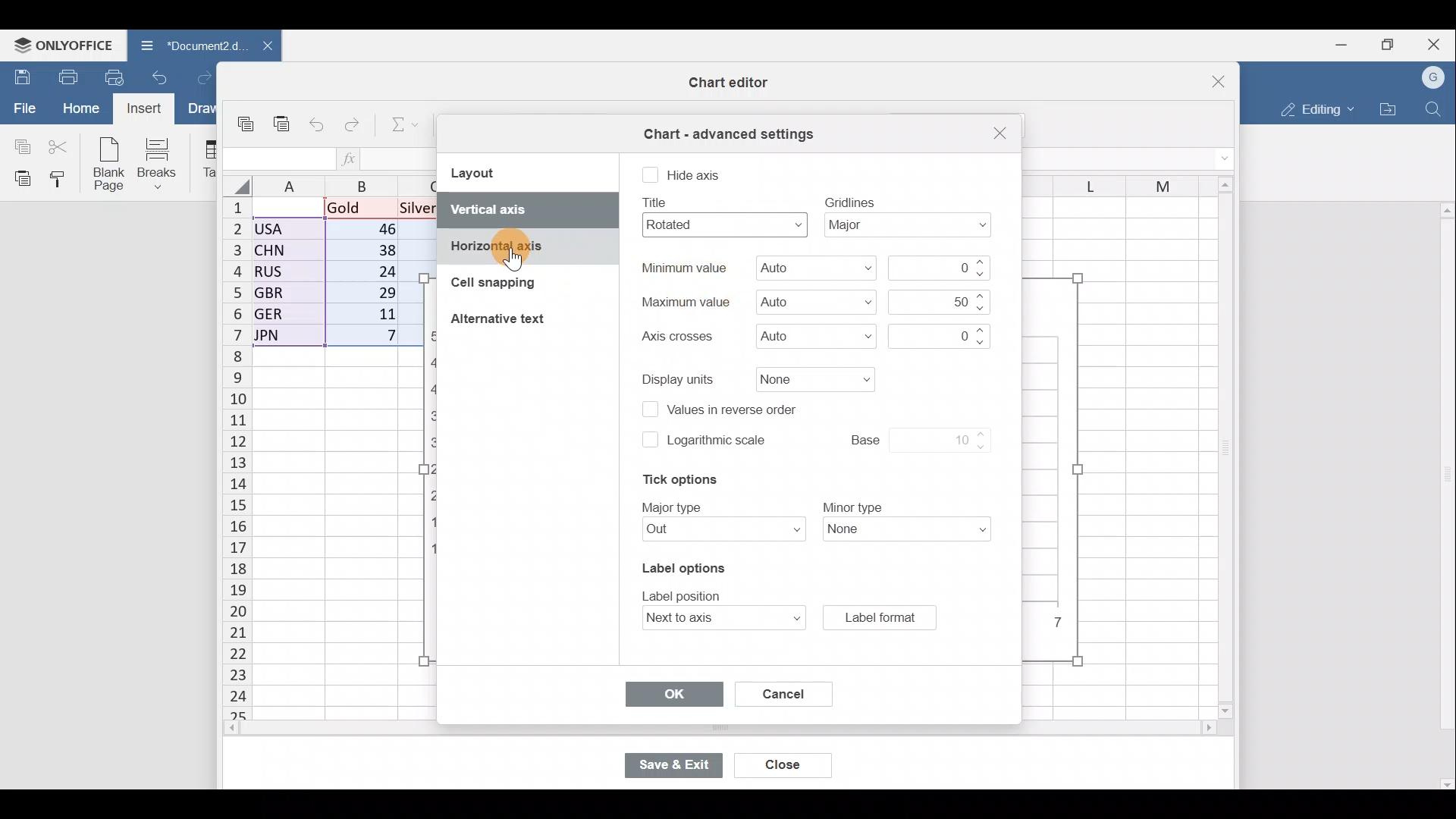  I want to click on Open file location, so click(1389, 108).